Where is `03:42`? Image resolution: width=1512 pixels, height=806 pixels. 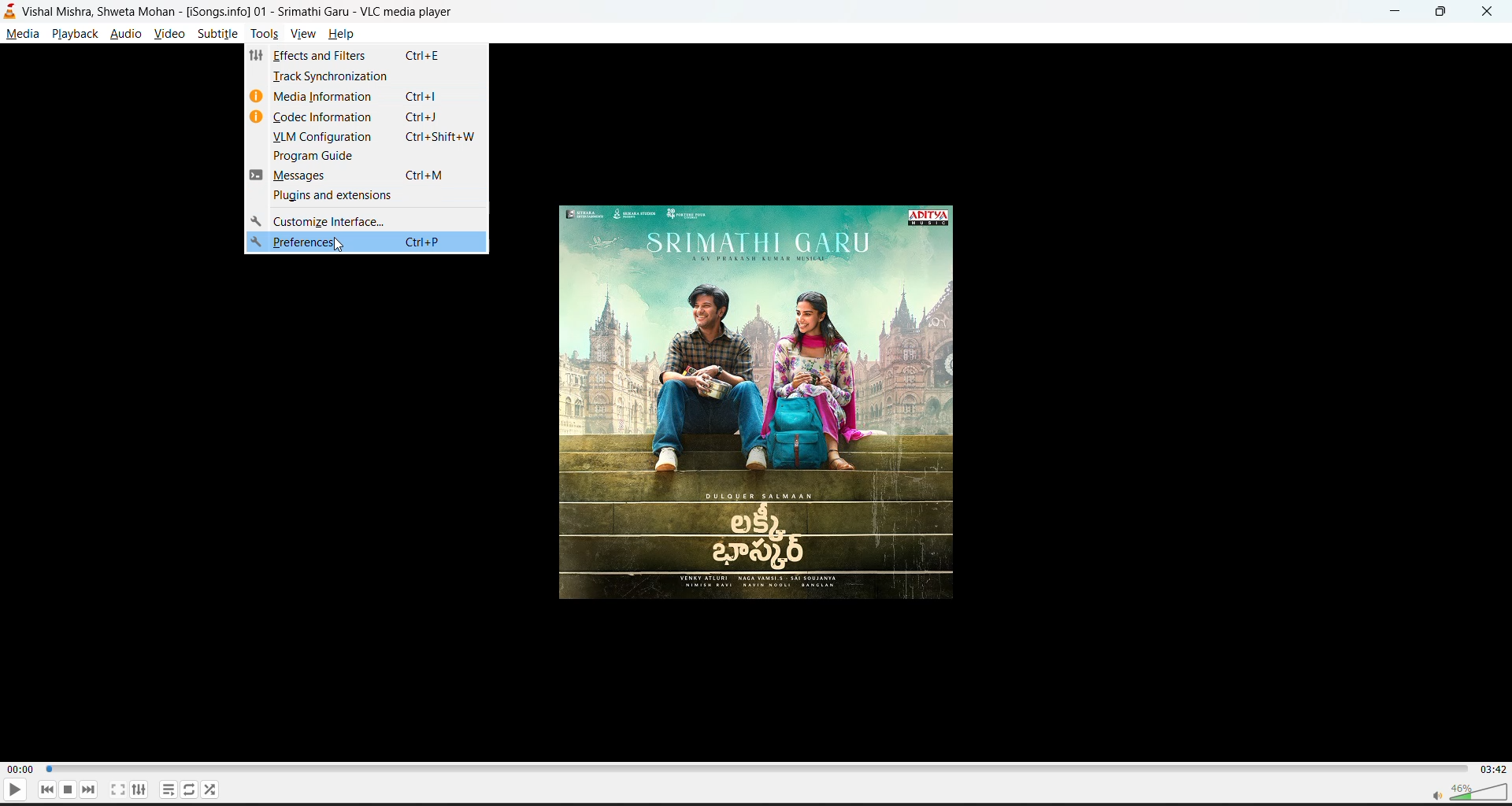
03:42 is located at coordinates (1492, 767).